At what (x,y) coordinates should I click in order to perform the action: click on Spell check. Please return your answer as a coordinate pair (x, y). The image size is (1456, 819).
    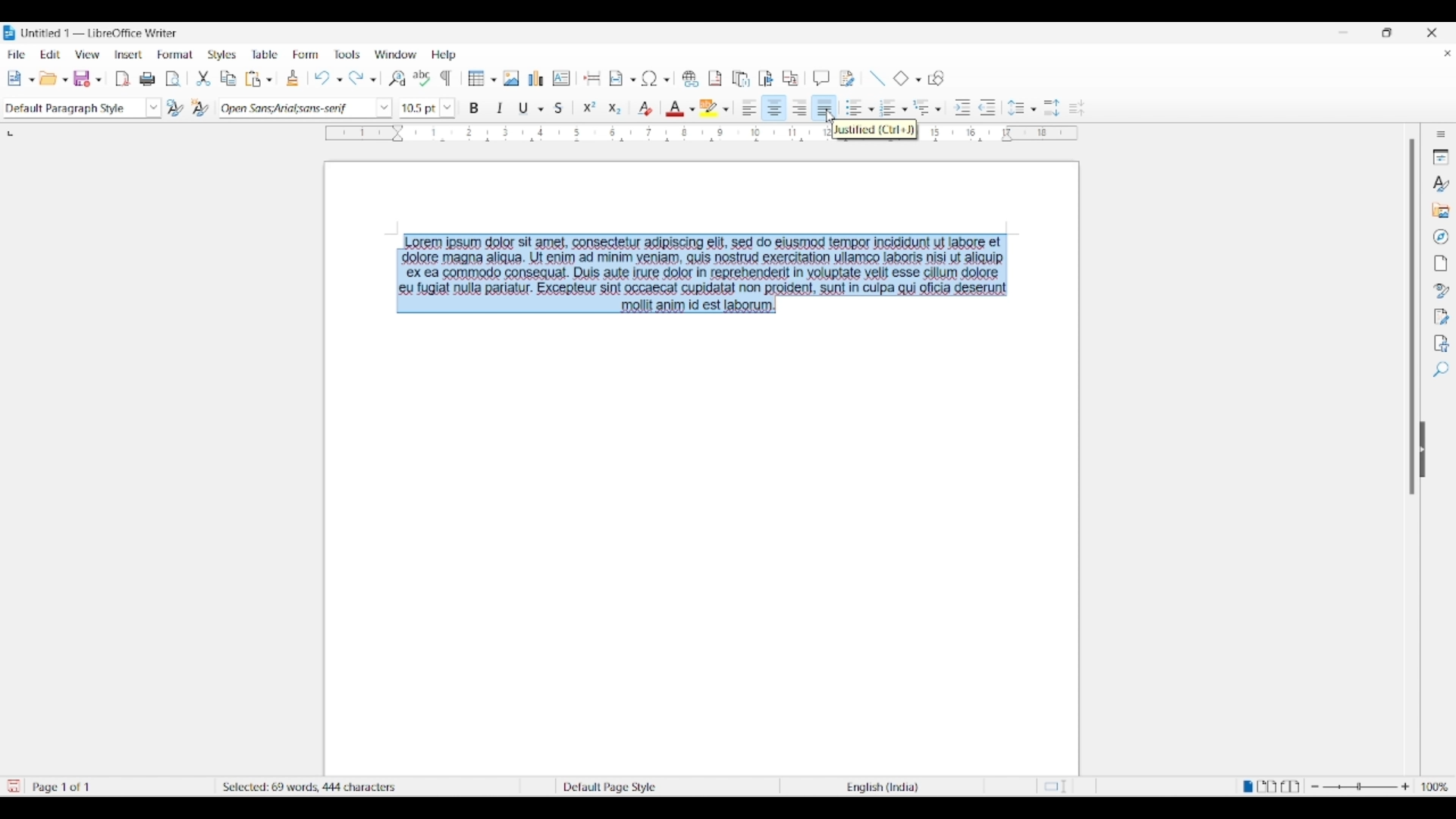
    Looking at the image, I should click on (422, 78).